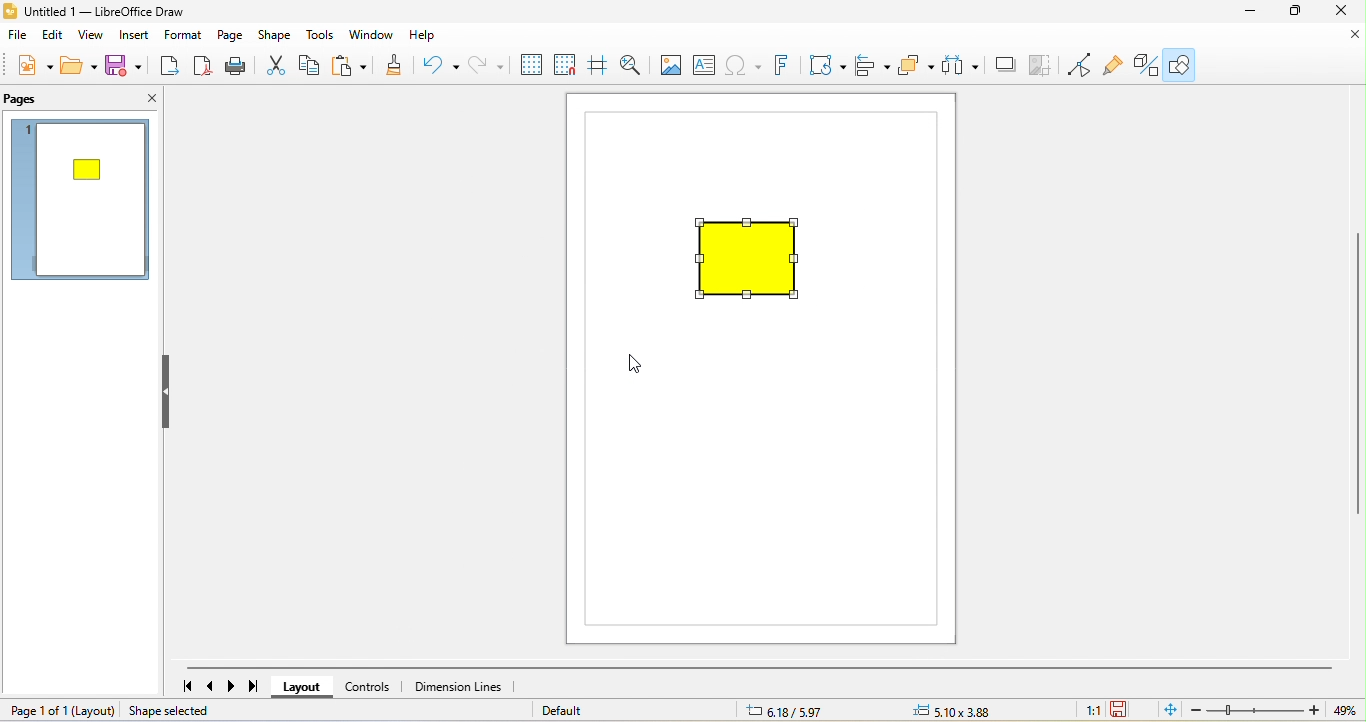  I want to click on pags, so click(26, 100).